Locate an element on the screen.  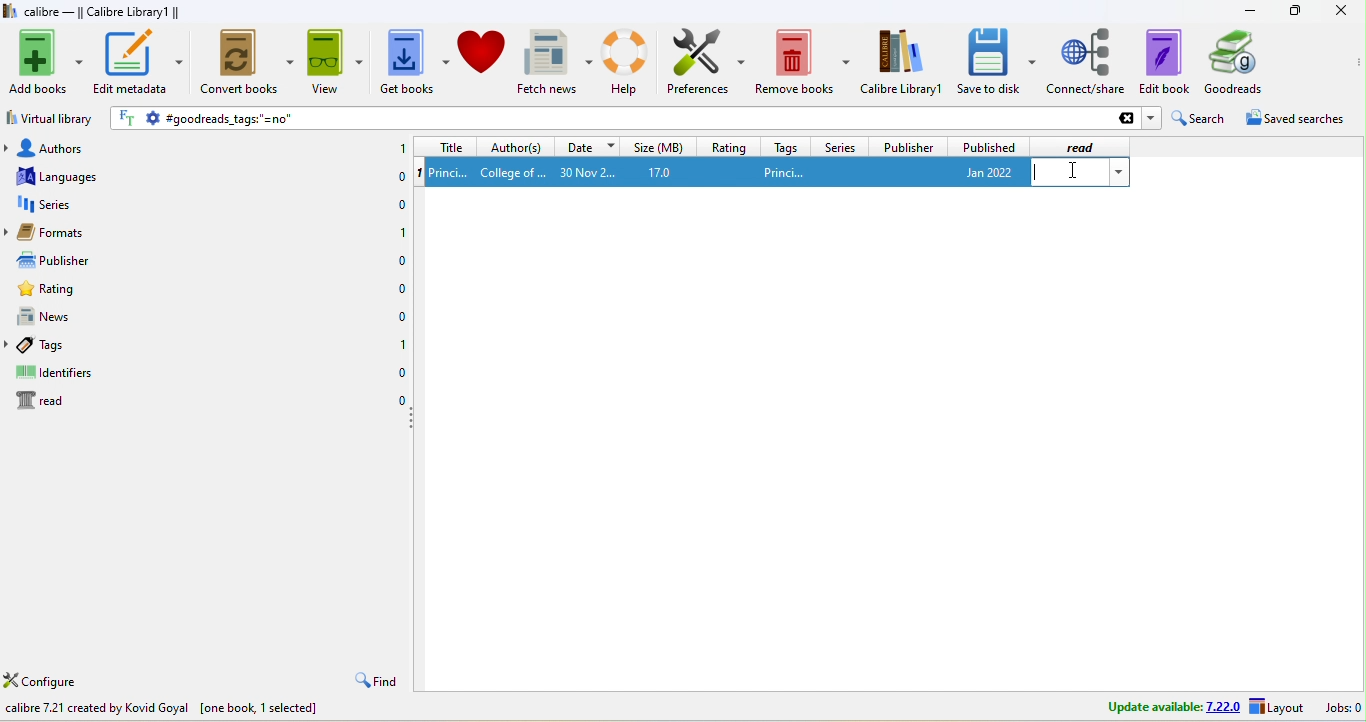
identifiers is located at coordinates (57, 373).